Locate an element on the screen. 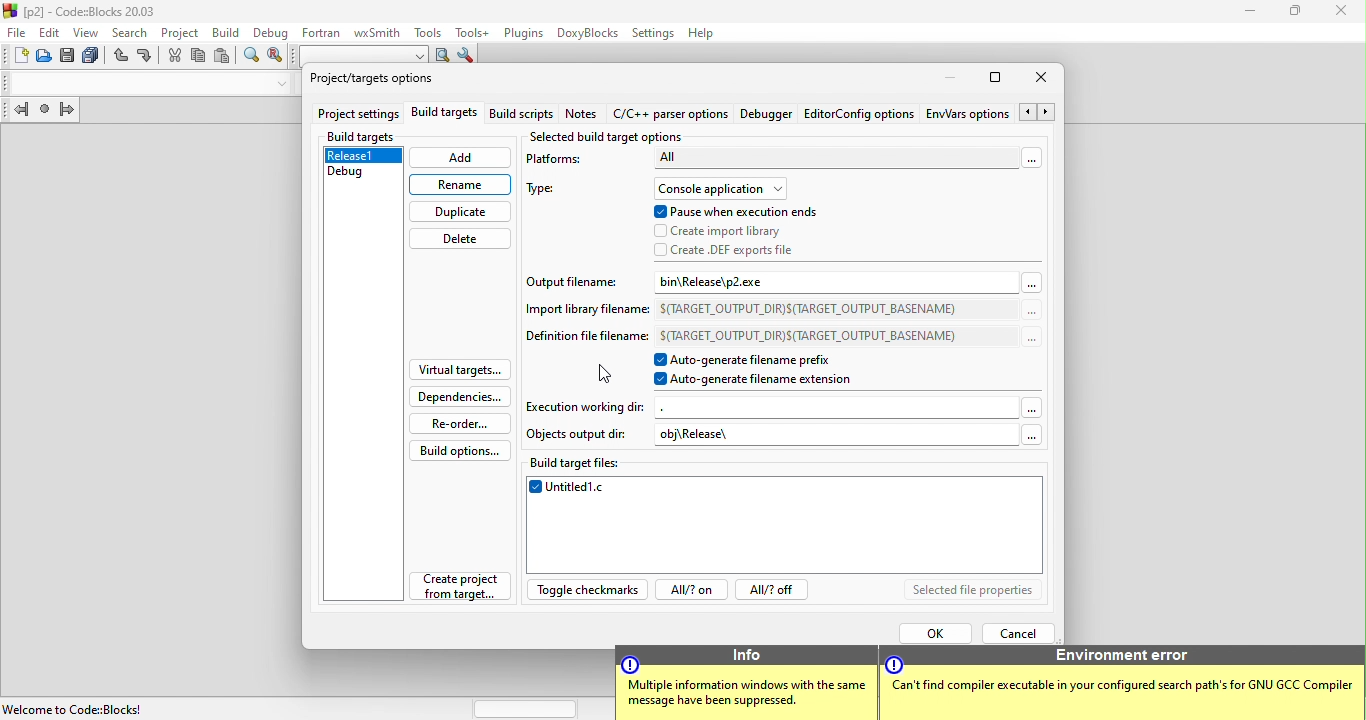 The height and width of the screenshot is (720, 1366). redo is located at coordinates (146, 57).